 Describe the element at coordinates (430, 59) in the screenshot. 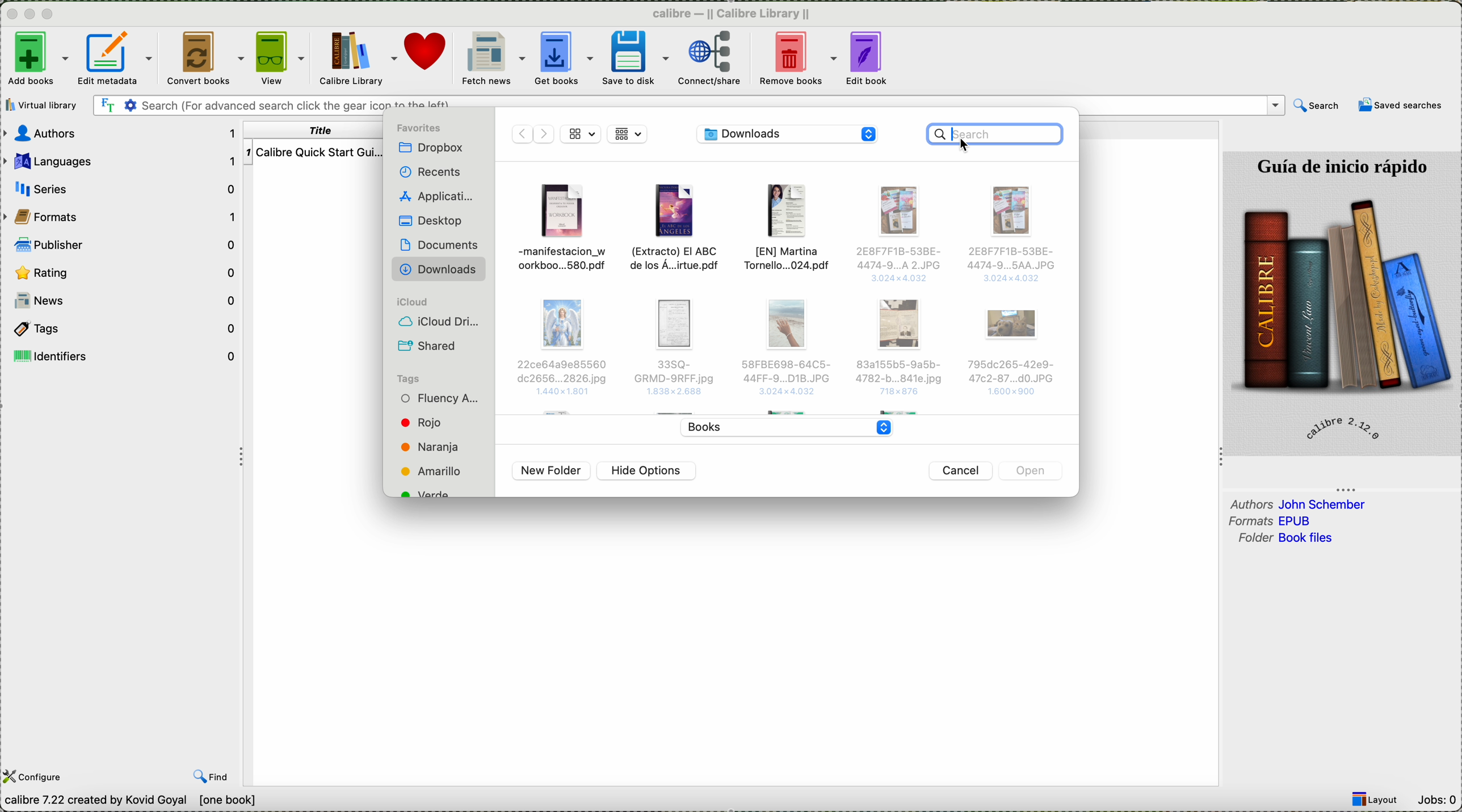

I see `donate` at that location.